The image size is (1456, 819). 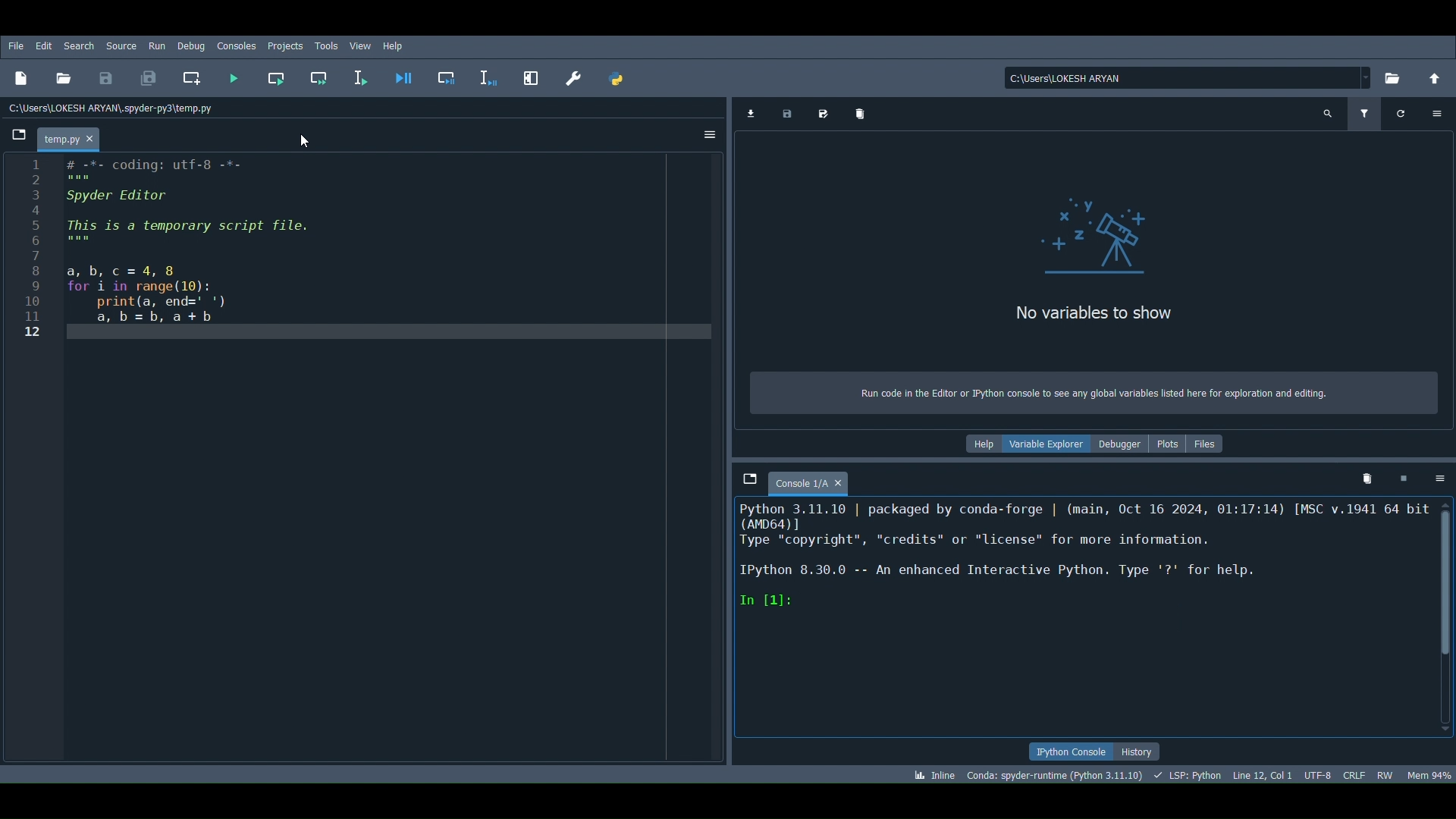 I want to click on Run current cell and go to the next one (Shift + Return), so click(x=319, y=77).